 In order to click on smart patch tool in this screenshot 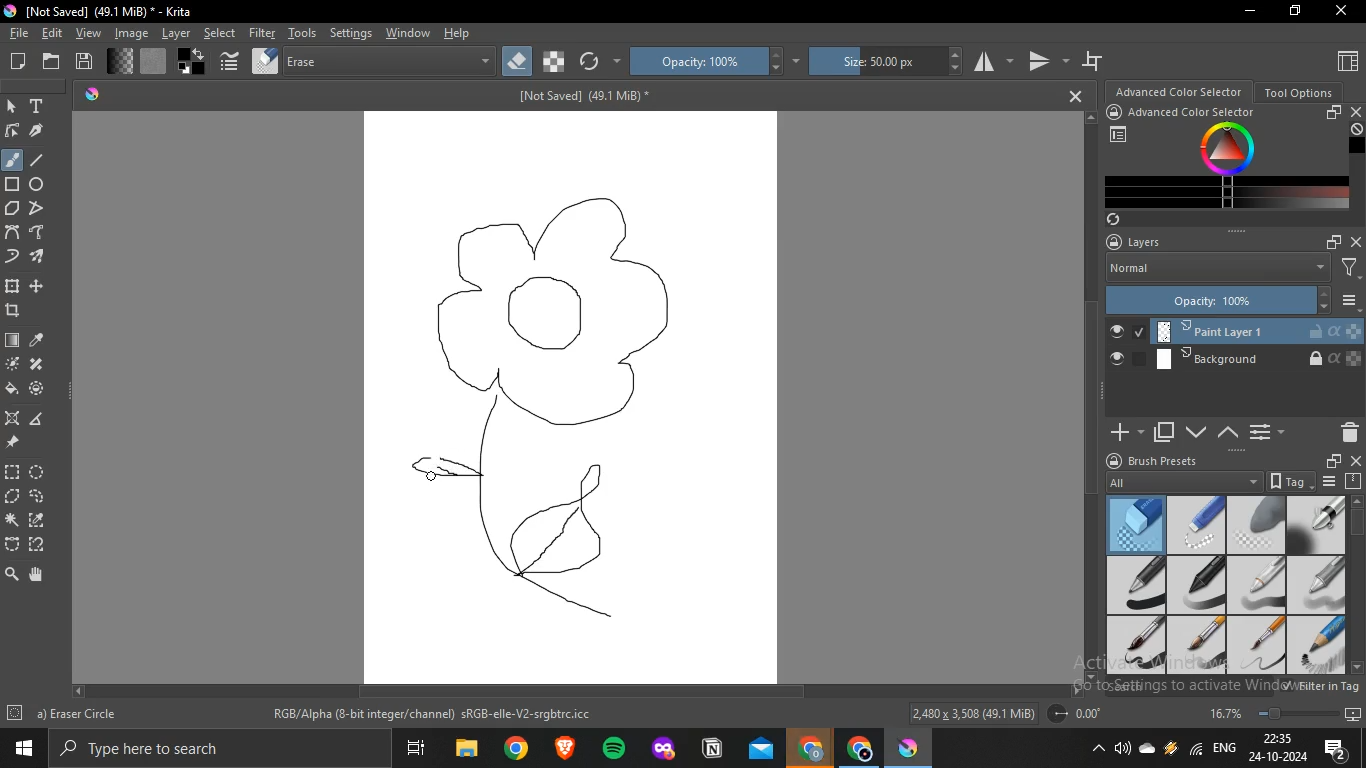, I will do `click(35, 363)`.